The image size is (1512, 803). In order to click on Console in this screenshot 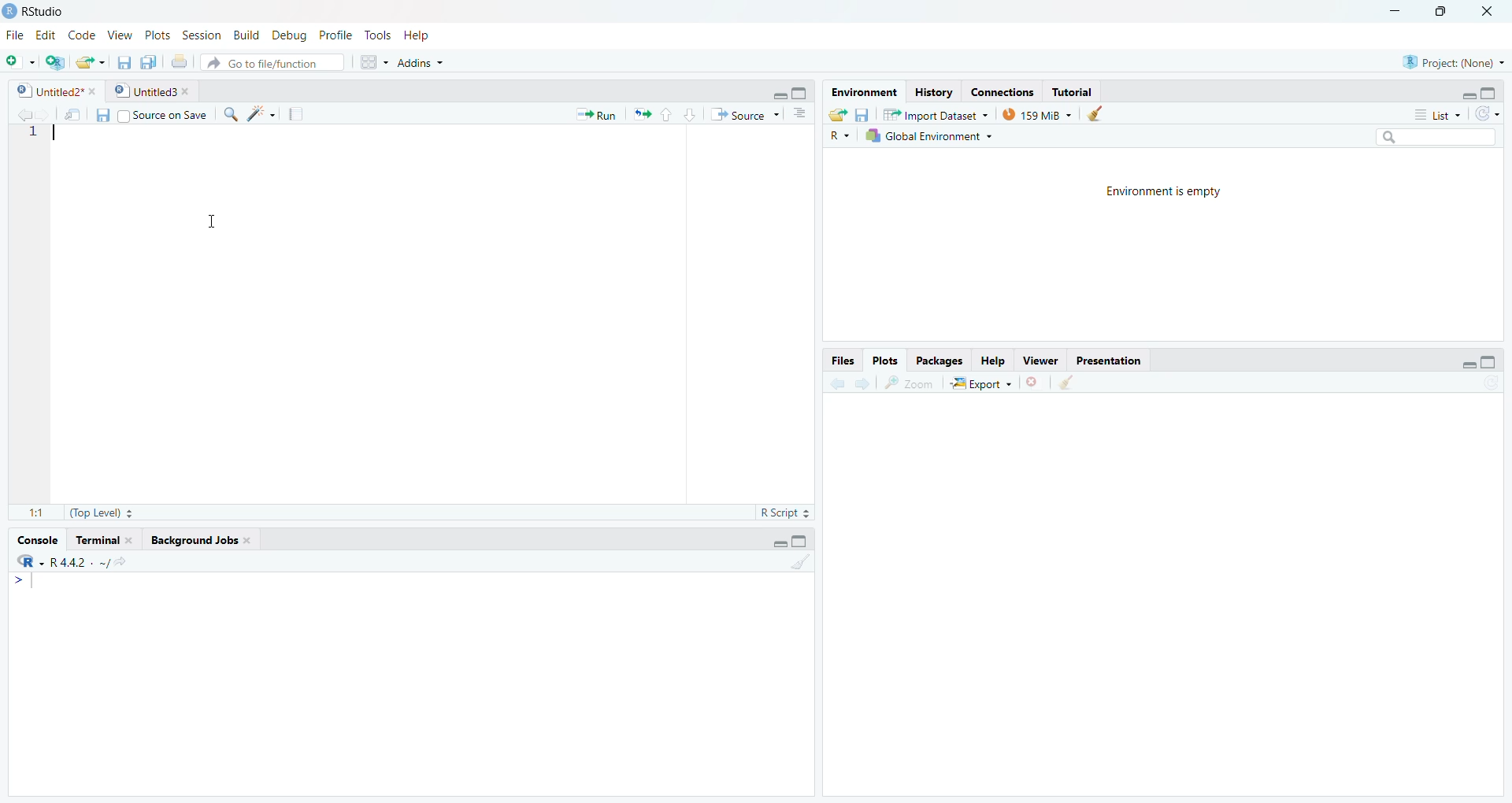, I will do `click(37, 539)`.